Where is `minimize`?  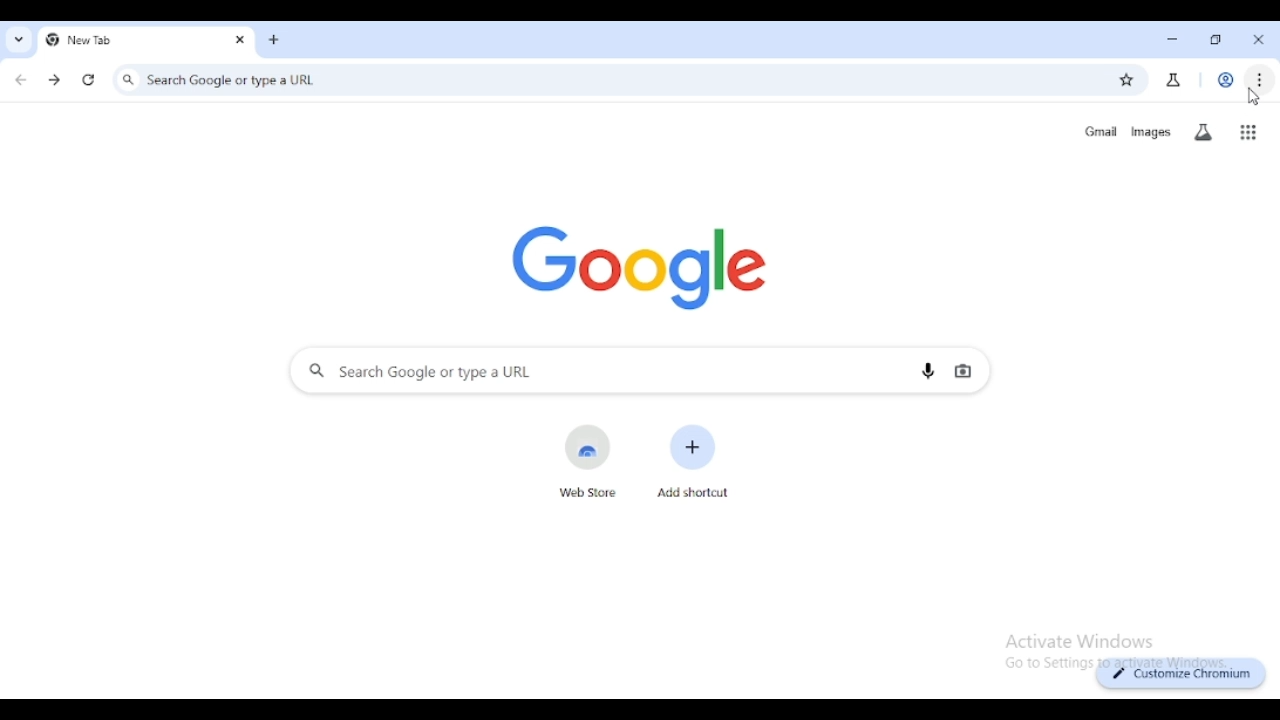 minimize is located at coordinates (1173, 40).